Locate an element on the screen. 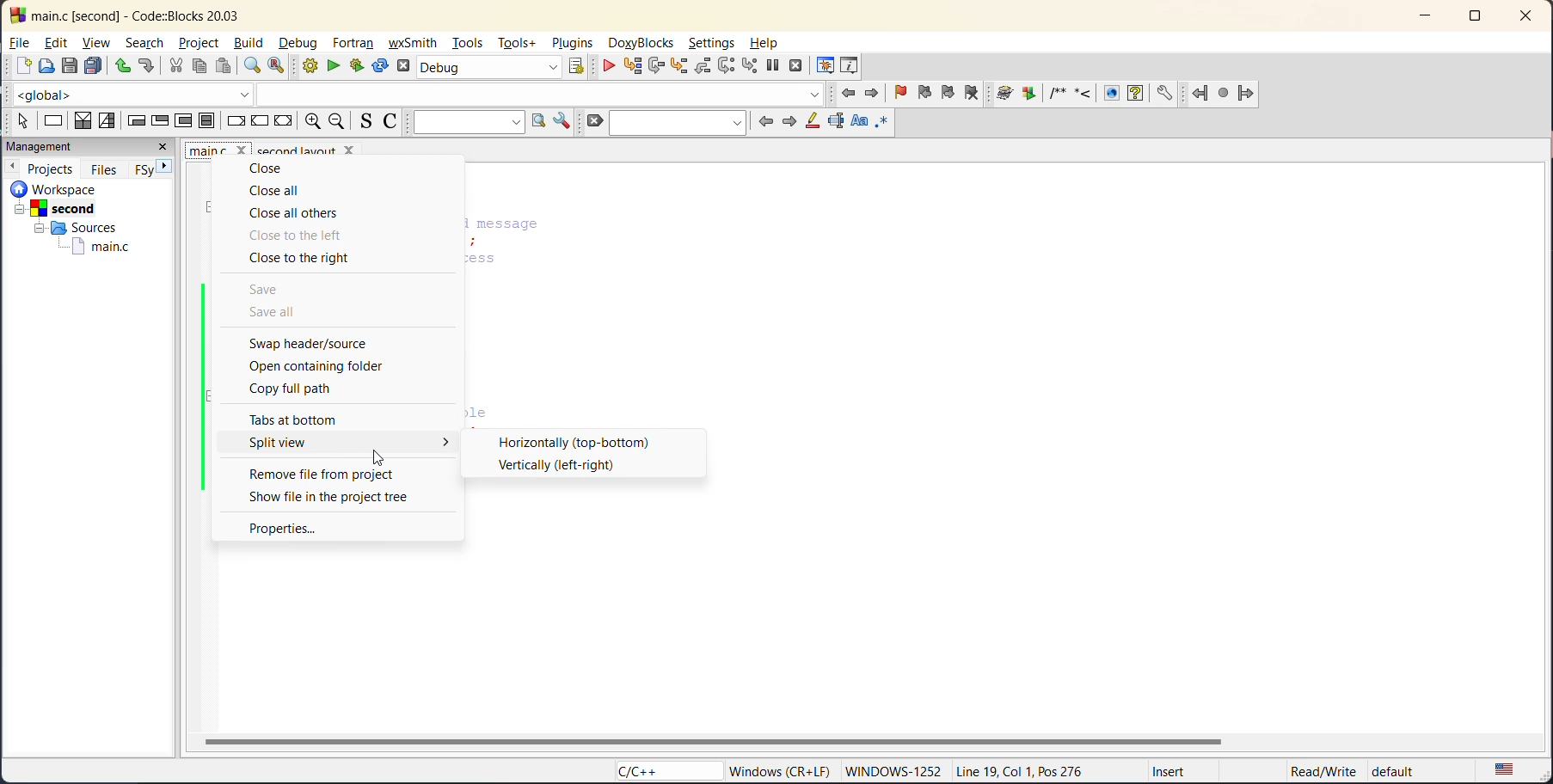  replace is located at coordinates (272, 67).